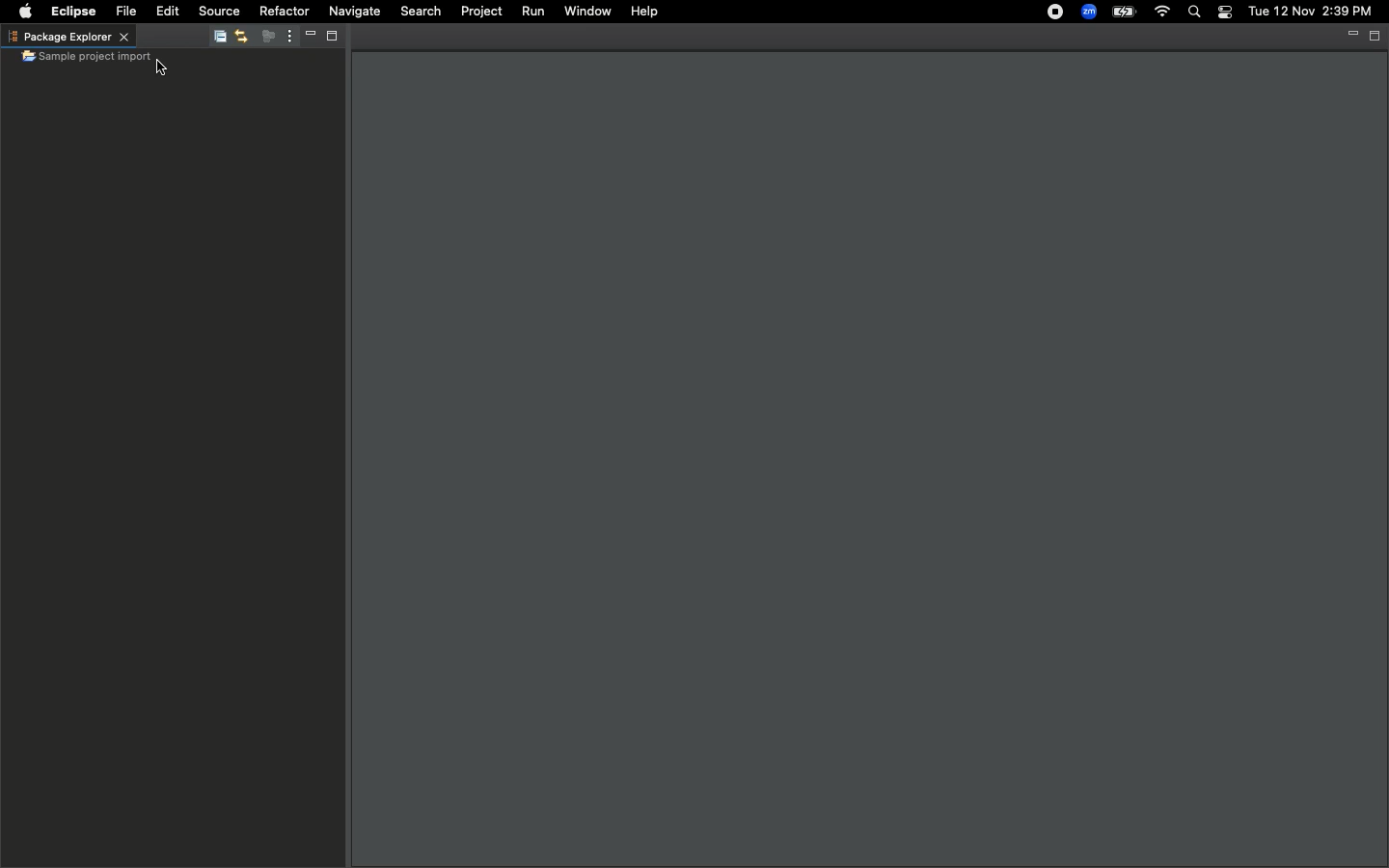  What do you see at coordinates (1162, 13) in the screenshot?
I see `Internet` at bounding box center [1162, 13].